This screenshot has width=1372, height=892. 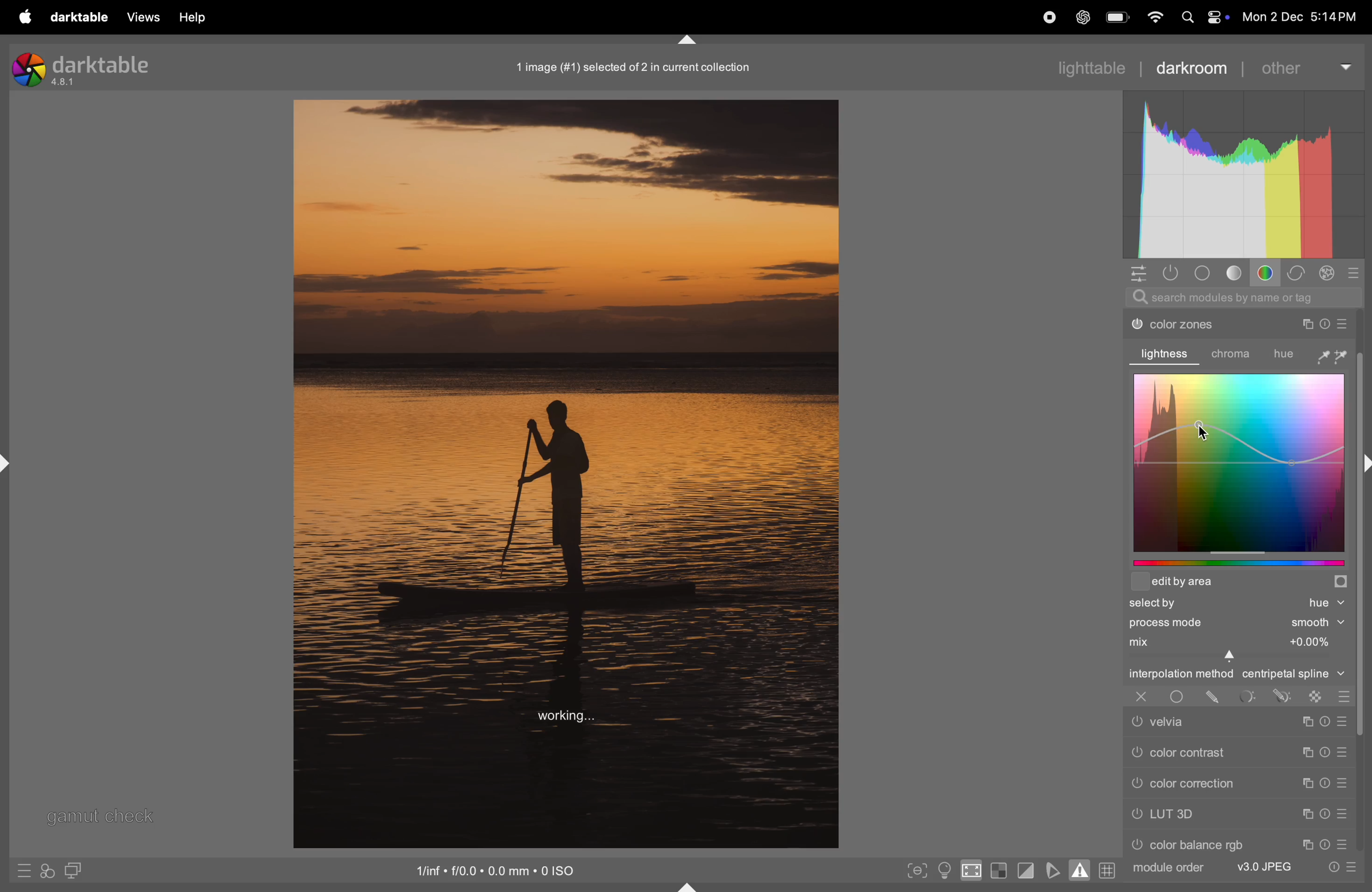 I want to click on , so click(x=1212, y=697).